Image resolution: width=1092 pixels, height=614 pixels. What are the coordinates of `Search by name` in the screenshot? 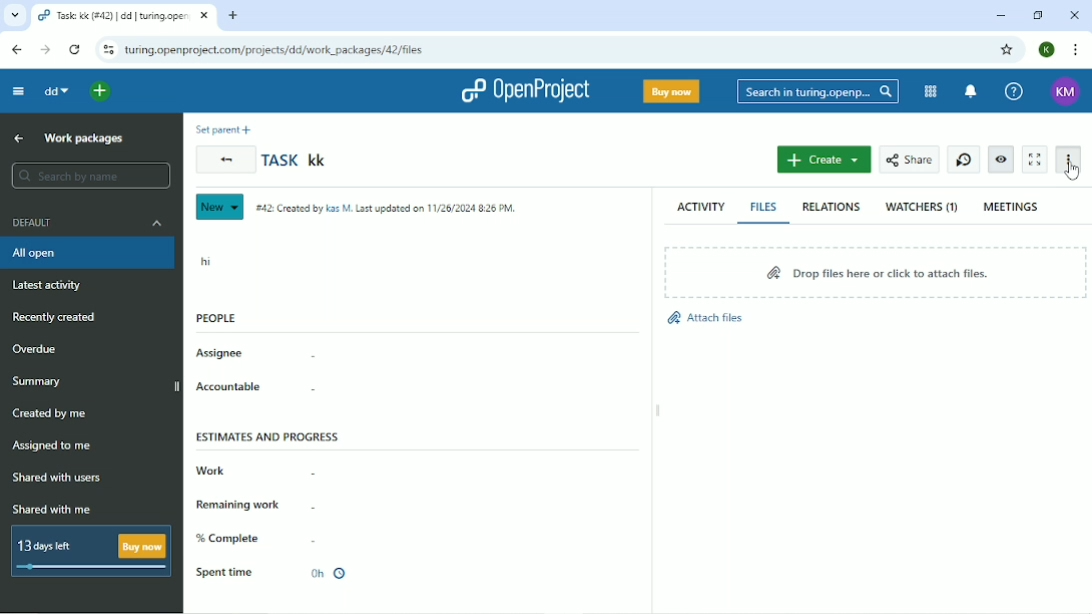 It's located at (92, 176).